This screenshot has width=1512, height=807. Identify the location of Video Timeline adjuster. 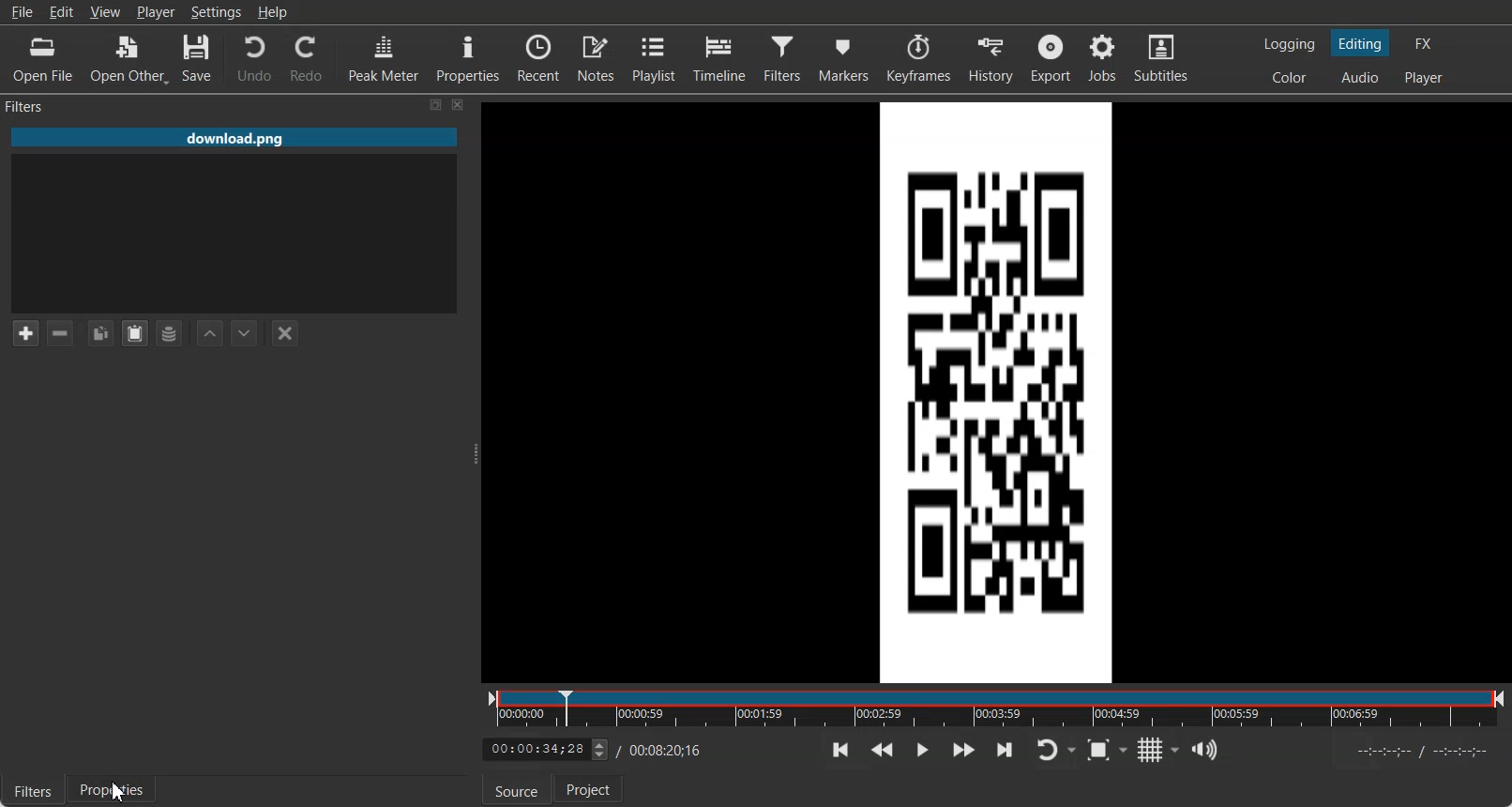
(545, 750).